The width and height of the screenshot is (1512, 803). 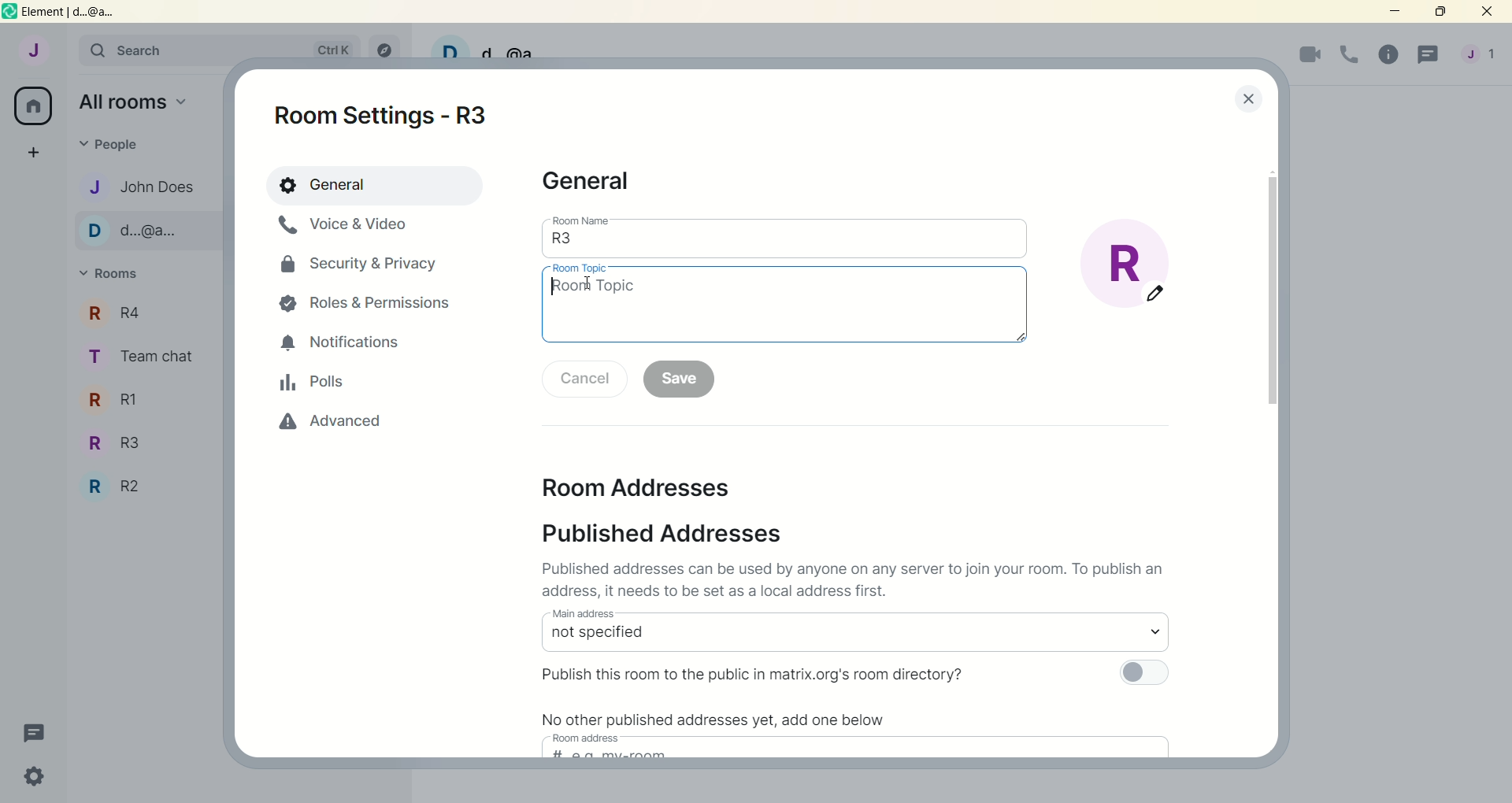 I want to click on room info, so click(x=1387, y=54).